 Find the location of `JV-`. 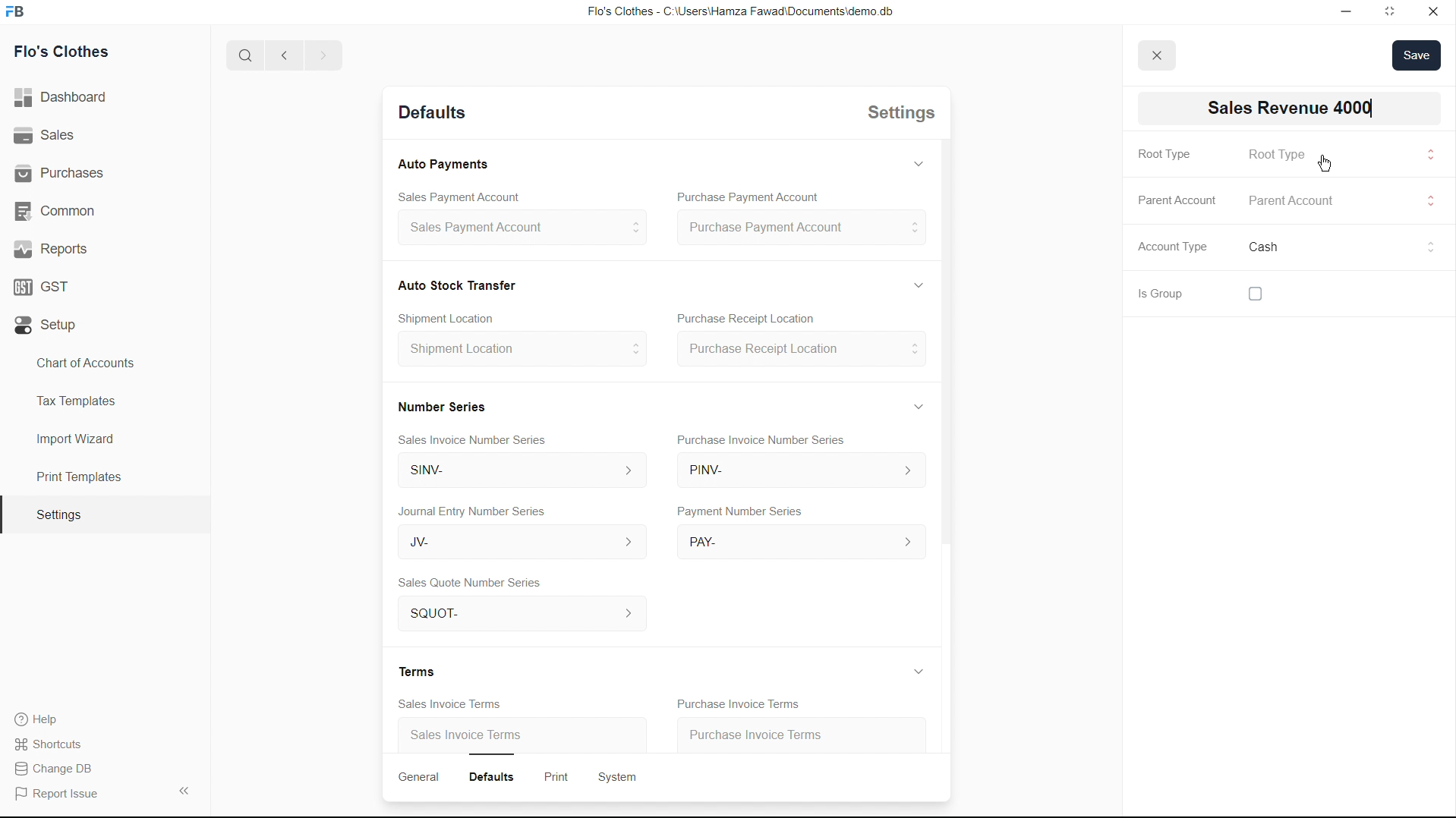

JV- is located at coordinates (513, 543).